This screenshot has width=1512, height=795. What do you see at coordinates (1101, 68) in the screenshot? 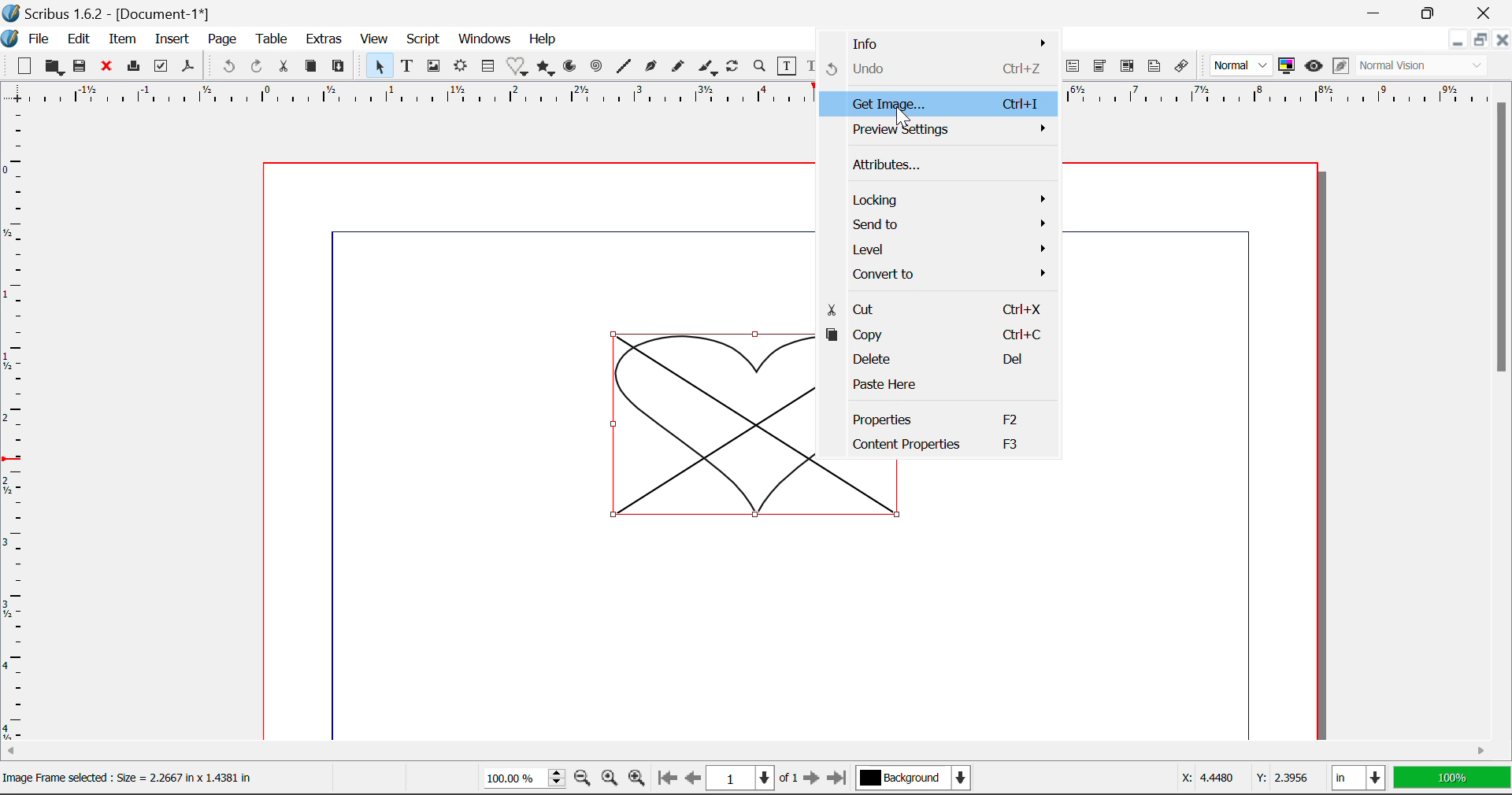
I see `Pdf Combobox` at bounding box center [1101, 68].